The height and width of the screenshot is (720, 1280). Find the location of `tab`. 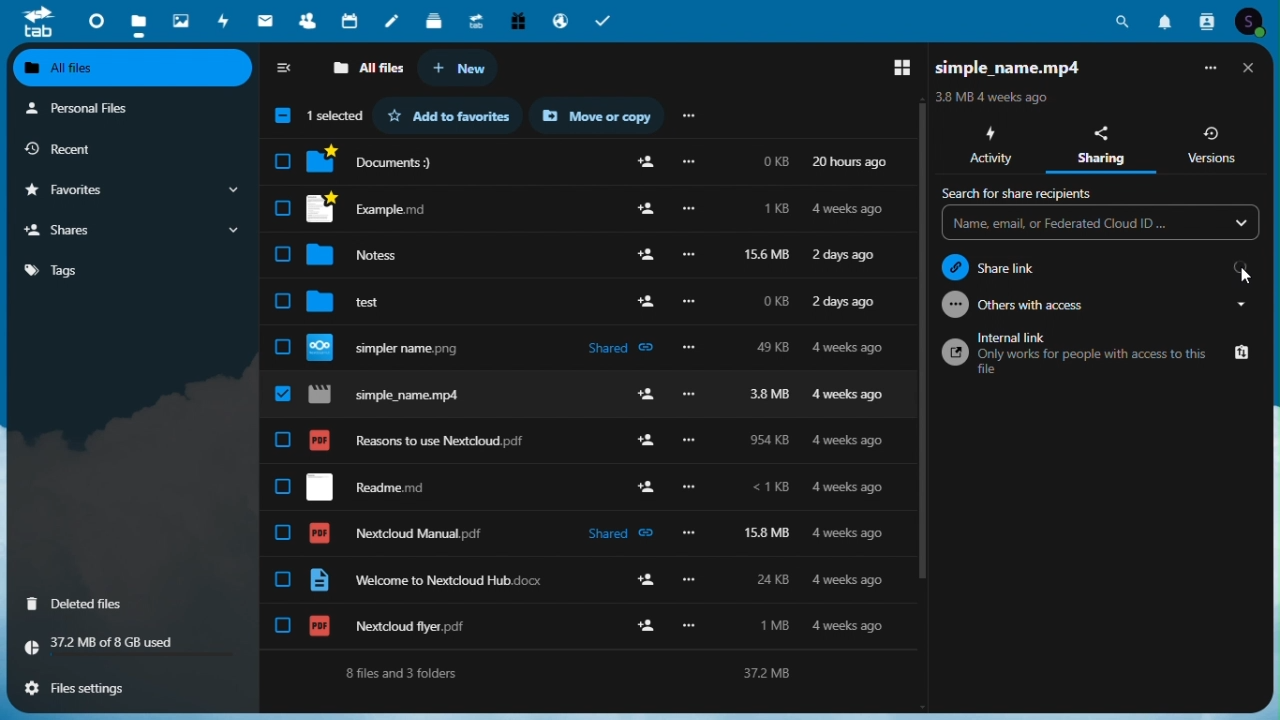

tab is located at coordinates (38, 21).